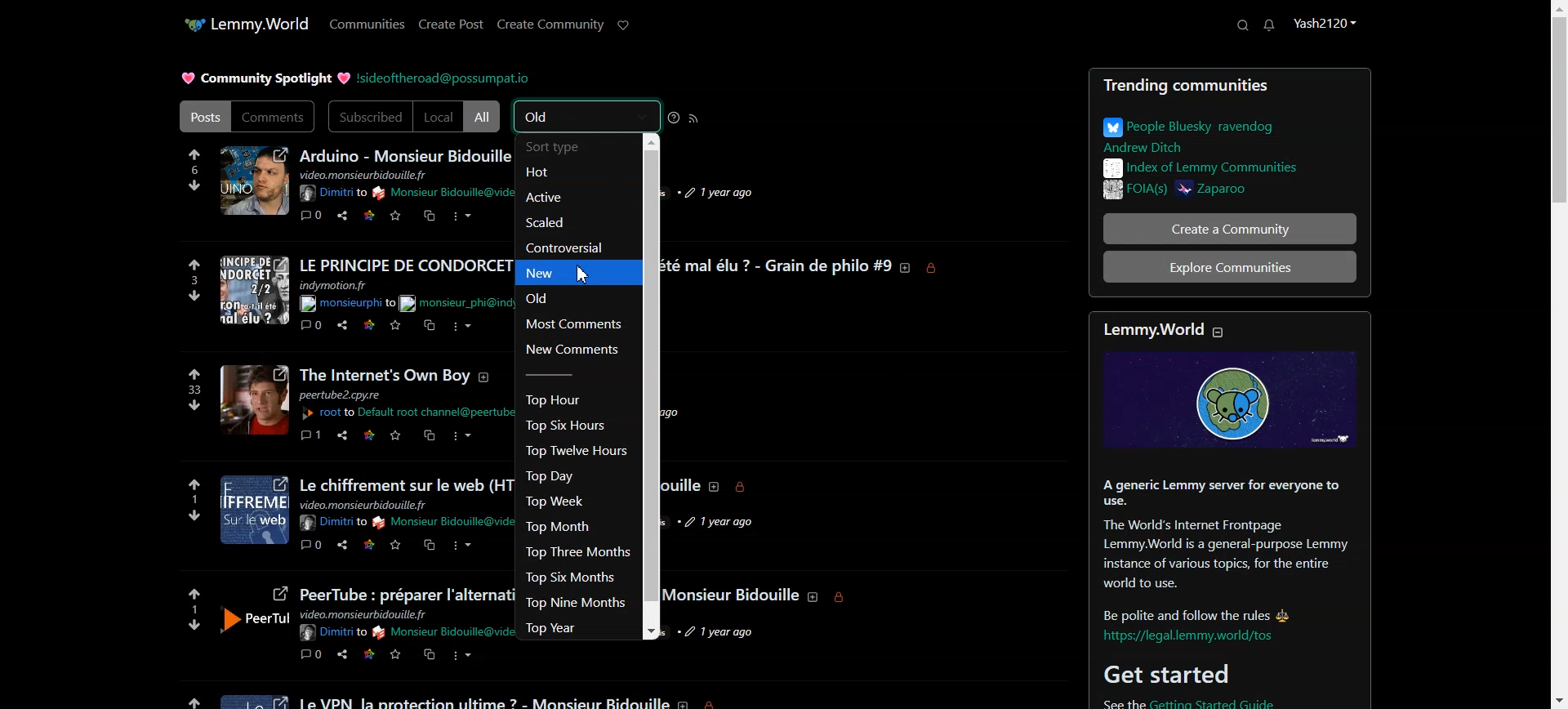  Describe the element at coordinates (310, 325) in the screenshot. I see `` at that location.